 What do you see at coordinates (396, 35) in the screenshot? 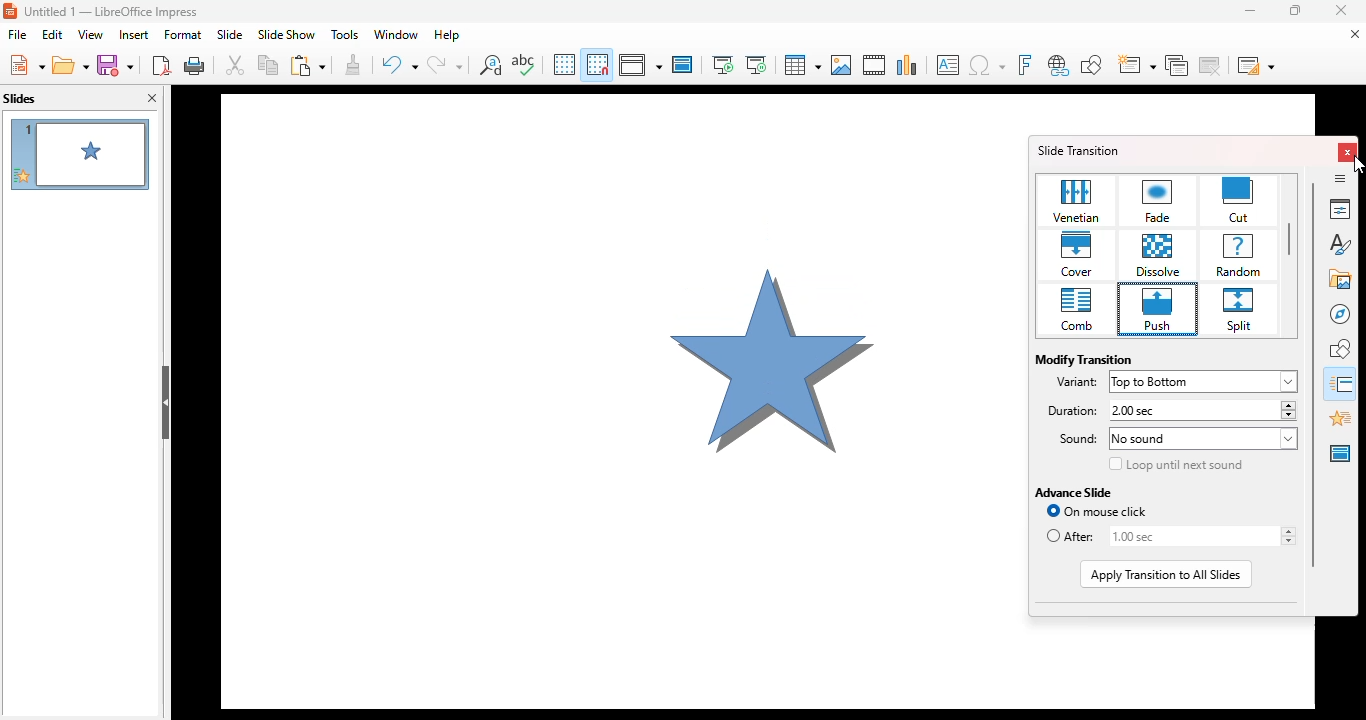
I see `window` at bounding box center [396, 35].